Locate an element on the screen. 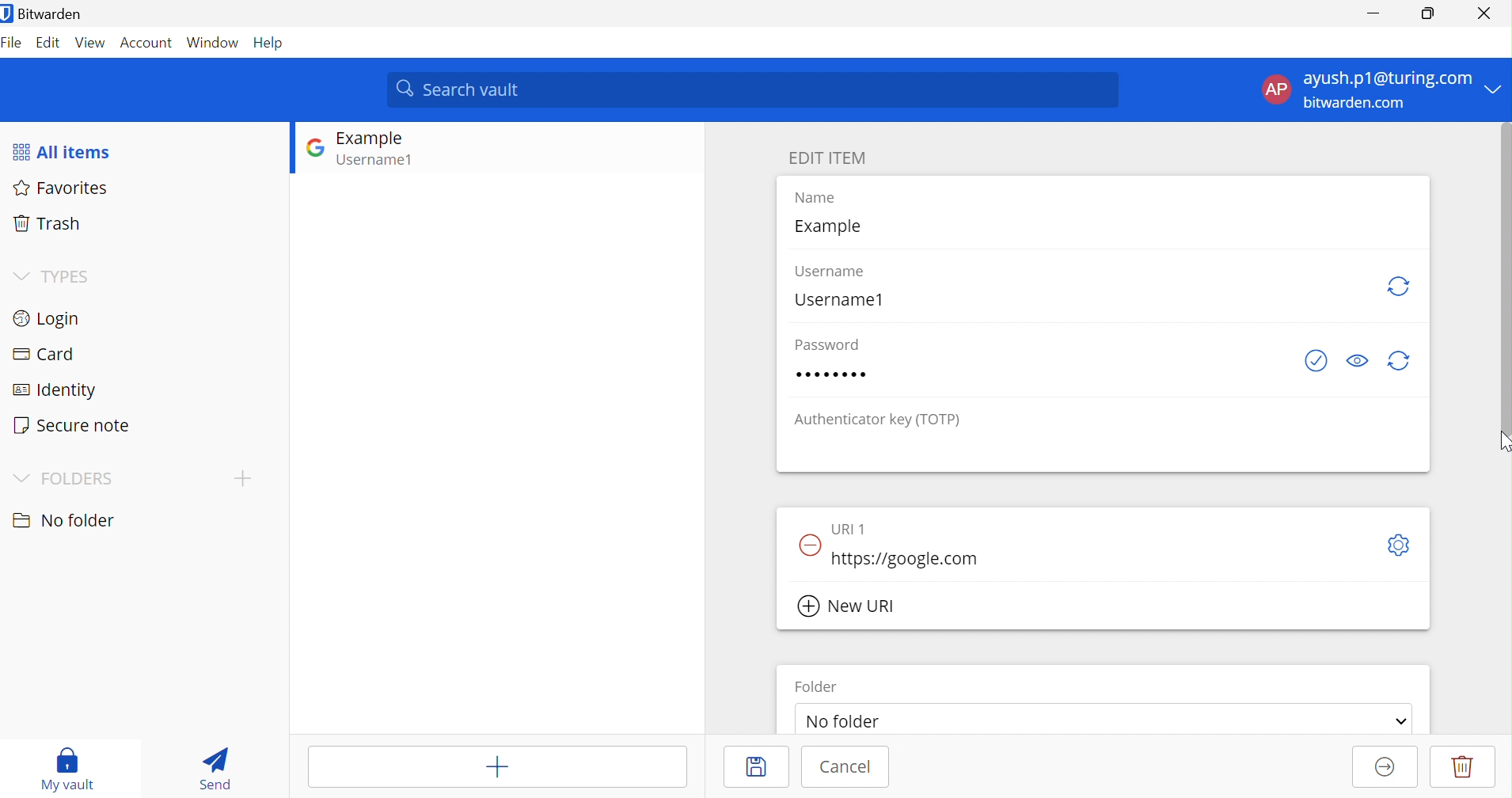  GOOGLE LOGIN ENTRY is located at coordinates (394, 151).